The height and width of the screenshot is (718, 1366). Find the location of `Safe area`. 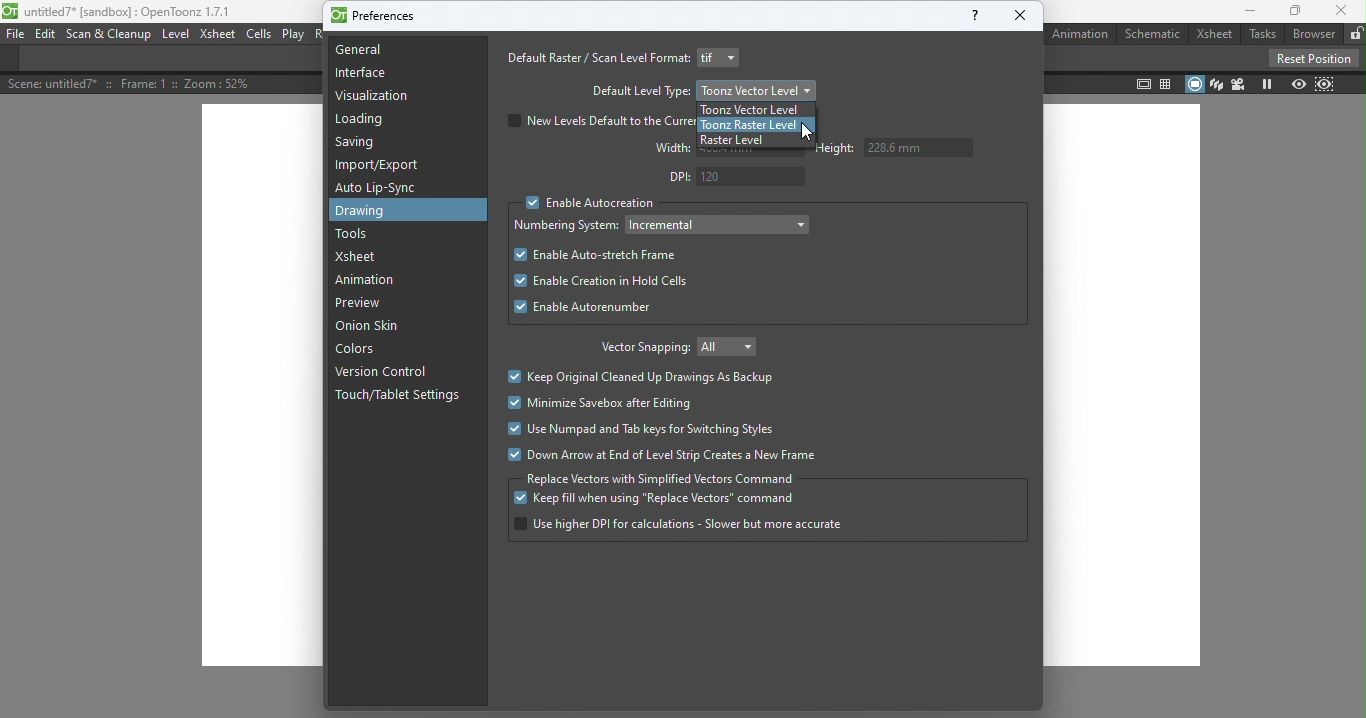

Safe area is located at coordinates (1143, 84).